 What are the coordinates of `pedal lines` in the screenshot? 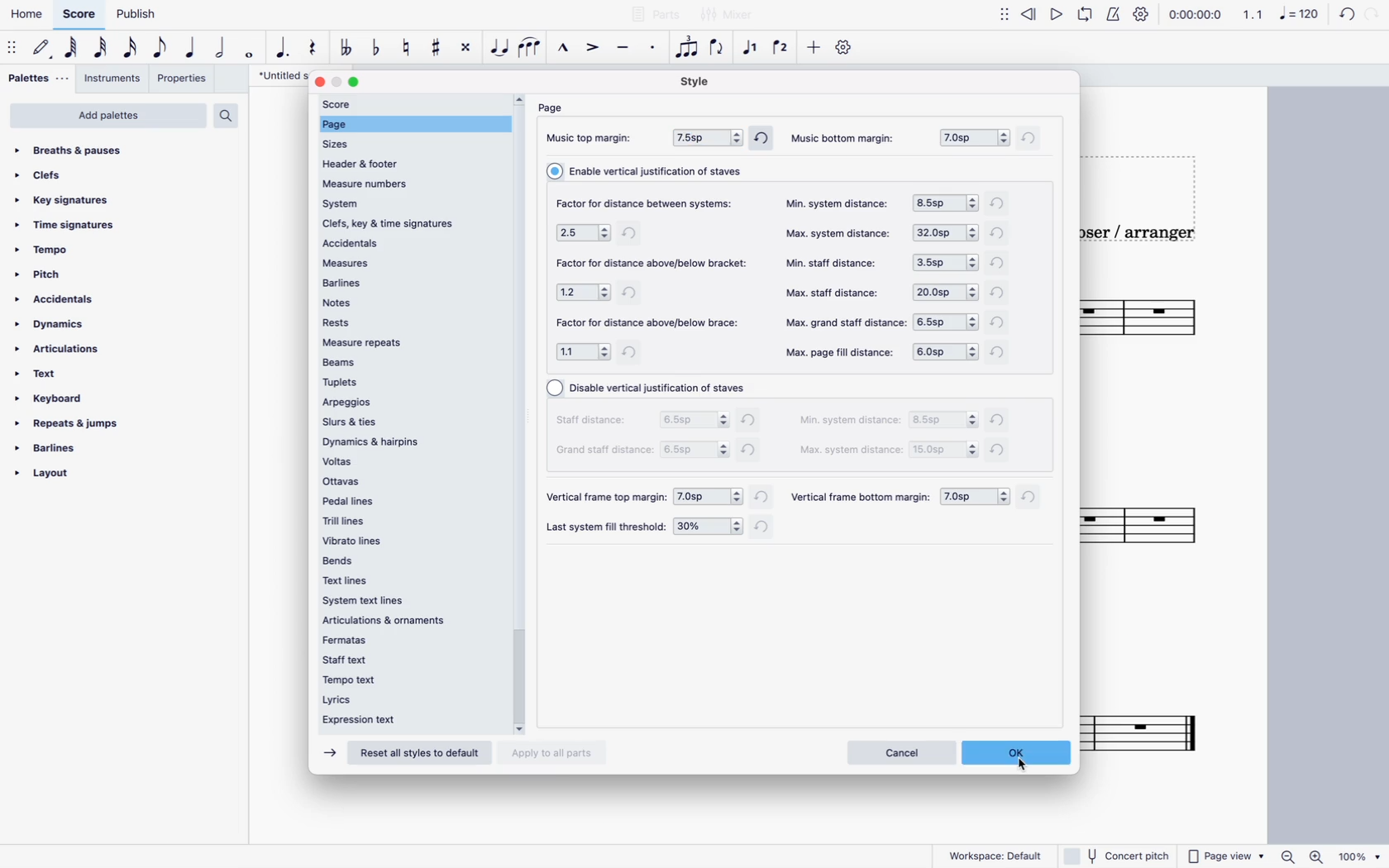 It's located at (409, 501).